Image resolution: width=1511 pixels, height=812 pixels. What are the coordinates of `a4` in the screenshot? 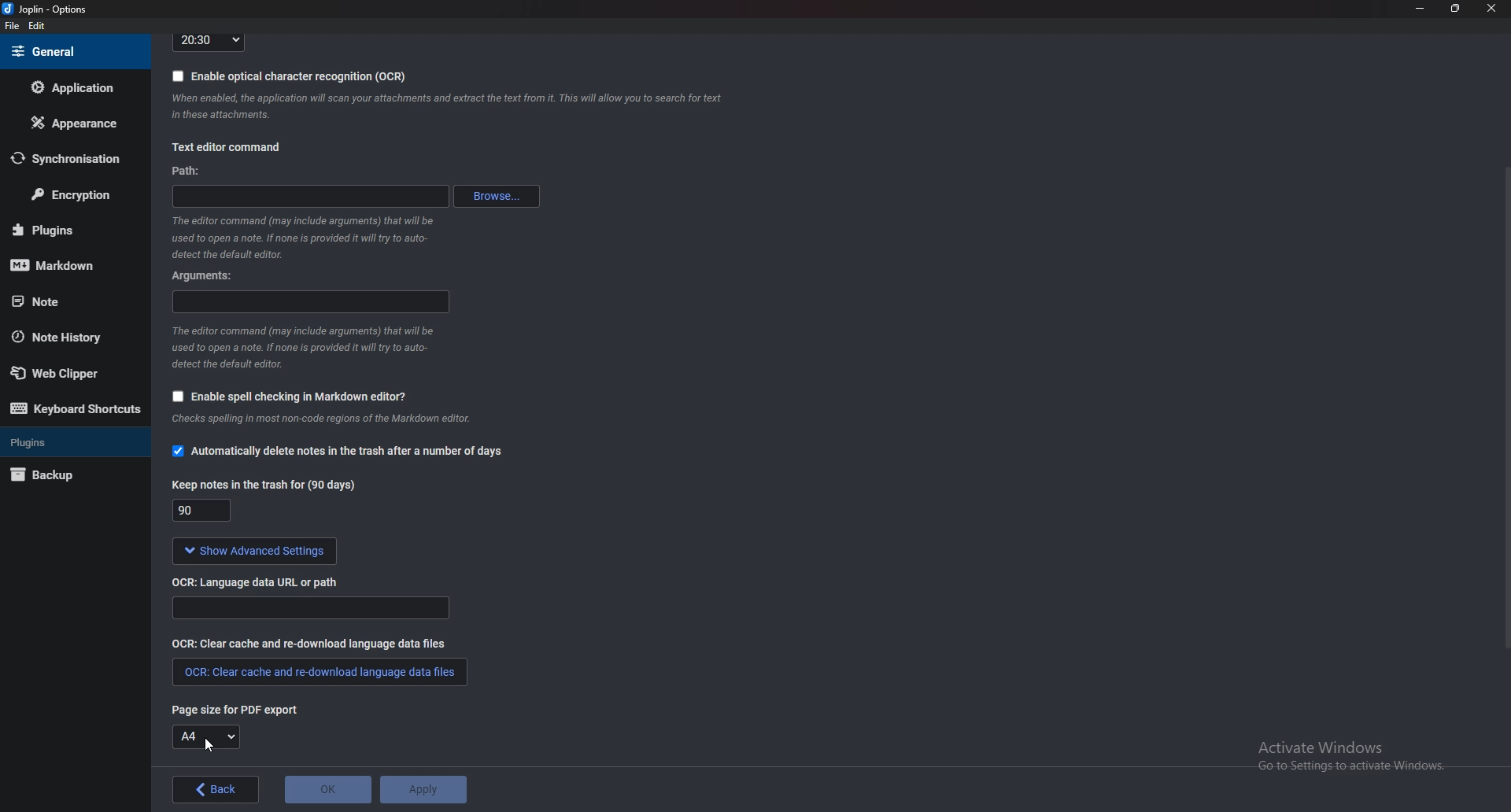 It's located at (207, 737).